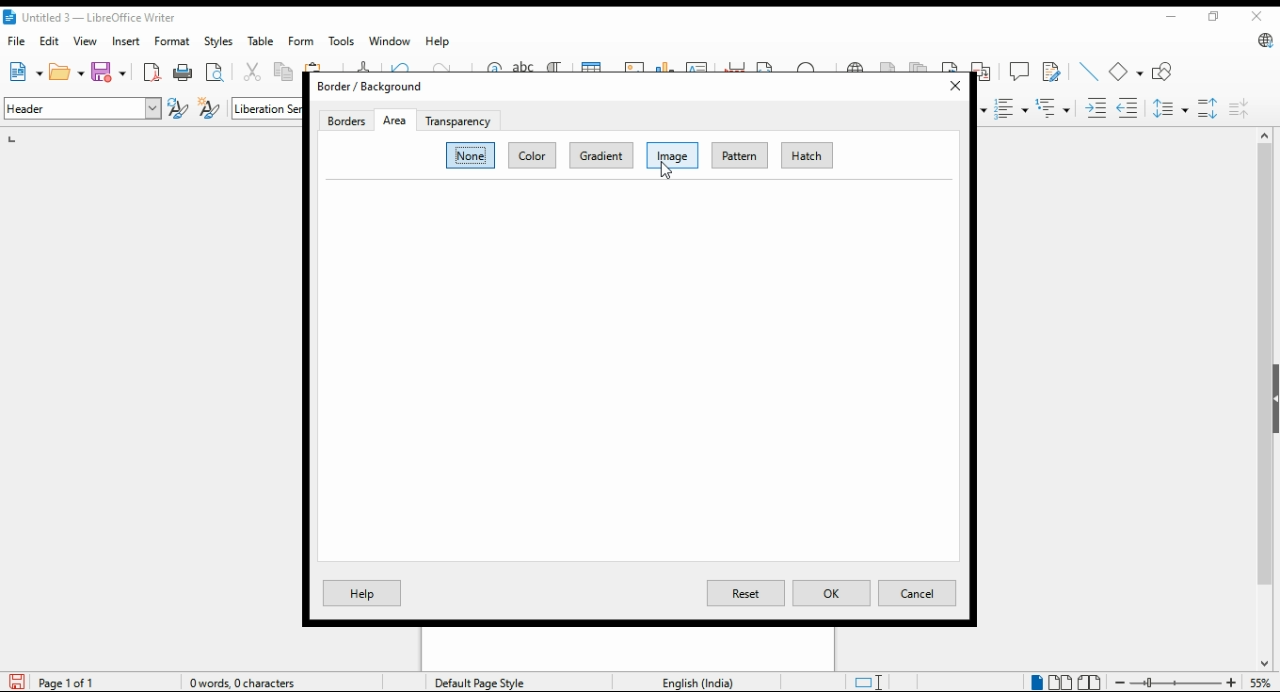 The image size is (1280, 692). Describe the element at coordinates (1097, 108) in the screenshot. I see `increase indent` at that location.